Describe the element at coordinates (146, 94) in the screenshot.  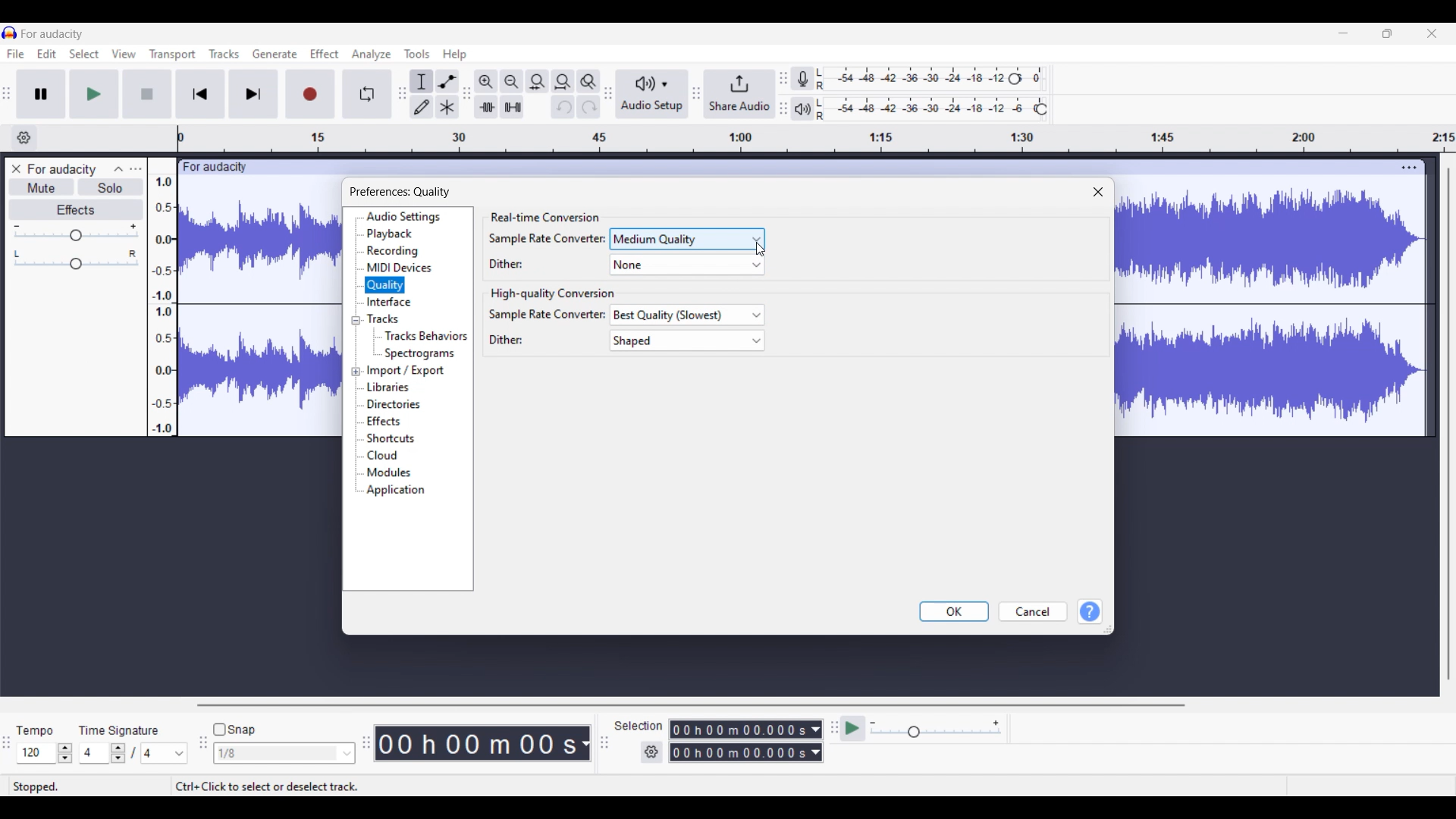
I see `Stop` at that location.